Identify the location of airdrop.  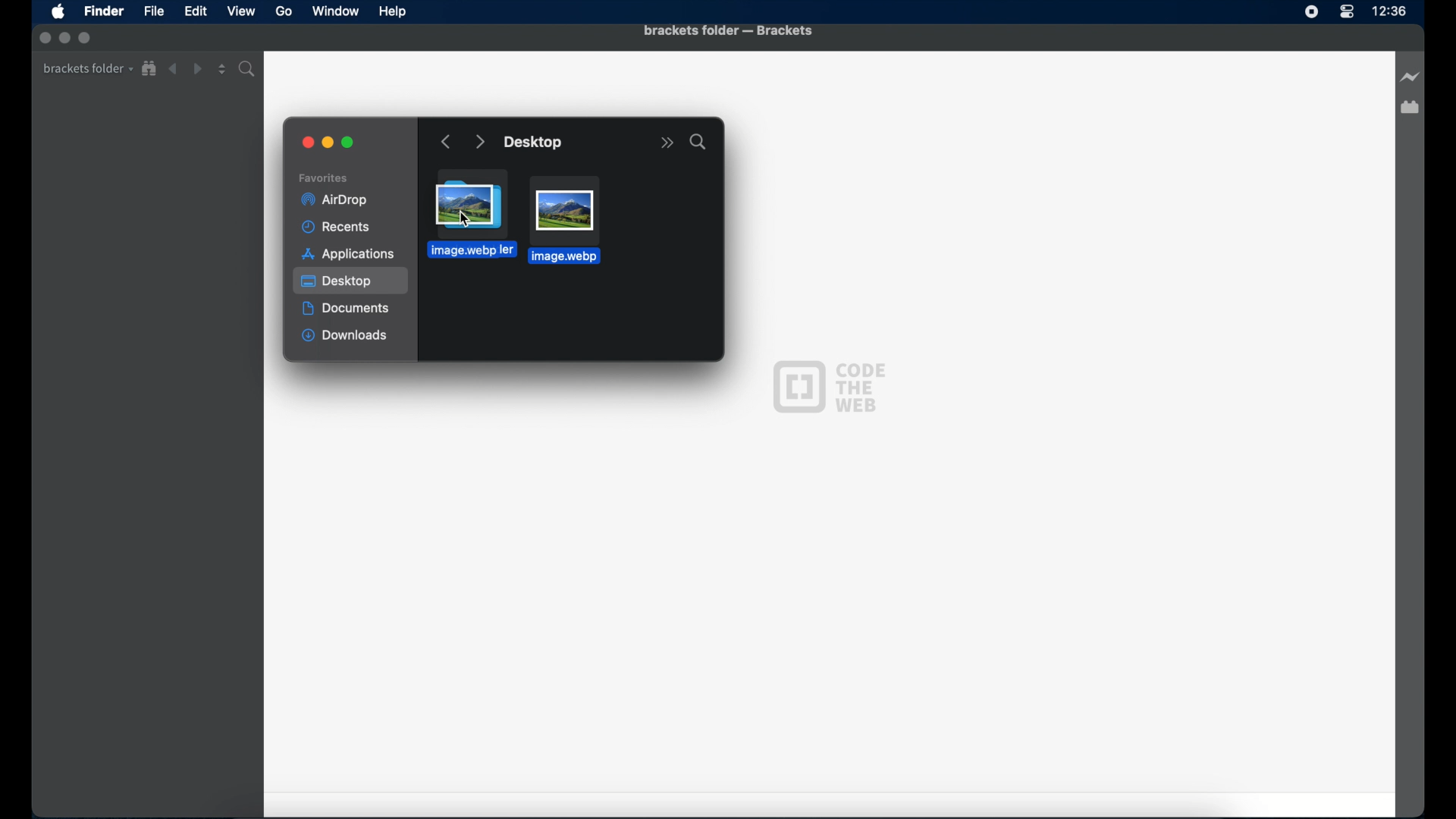
(334, 200).